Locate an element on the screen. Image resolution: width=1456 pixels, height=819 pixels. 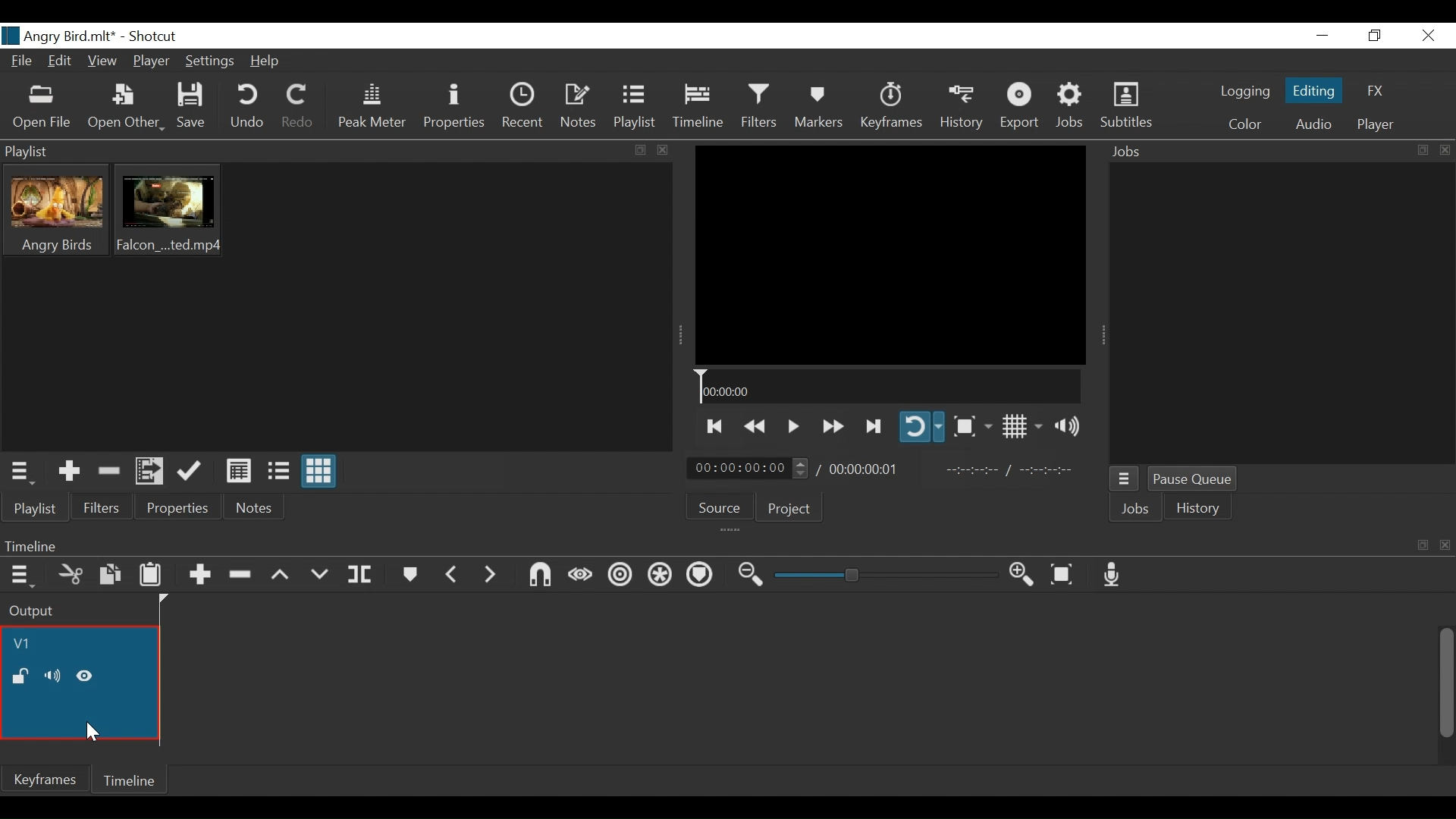
Open Other is located at coordinates (125, 108).